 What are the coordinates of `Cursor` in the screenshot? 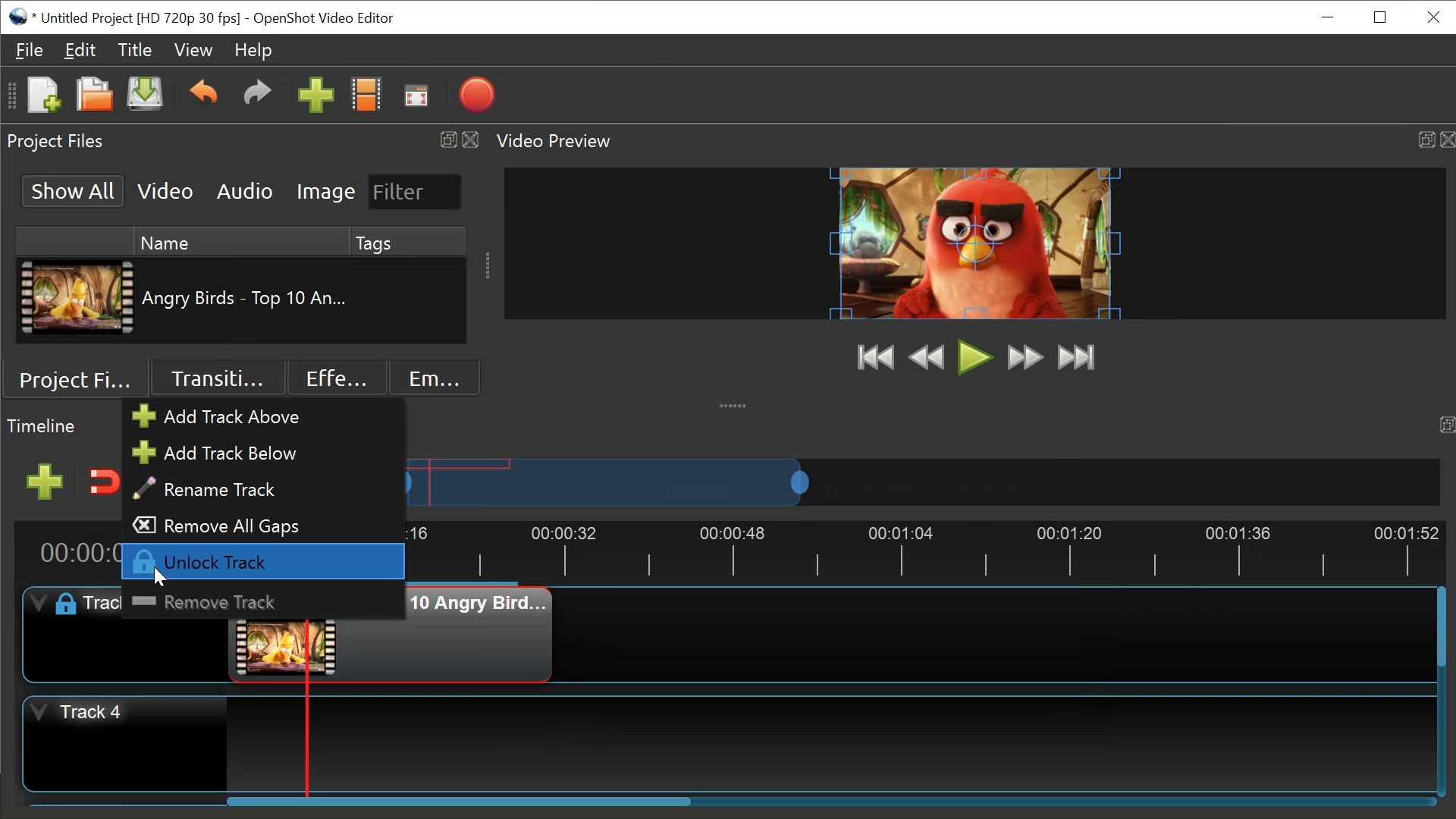 It's located at (162, 579).